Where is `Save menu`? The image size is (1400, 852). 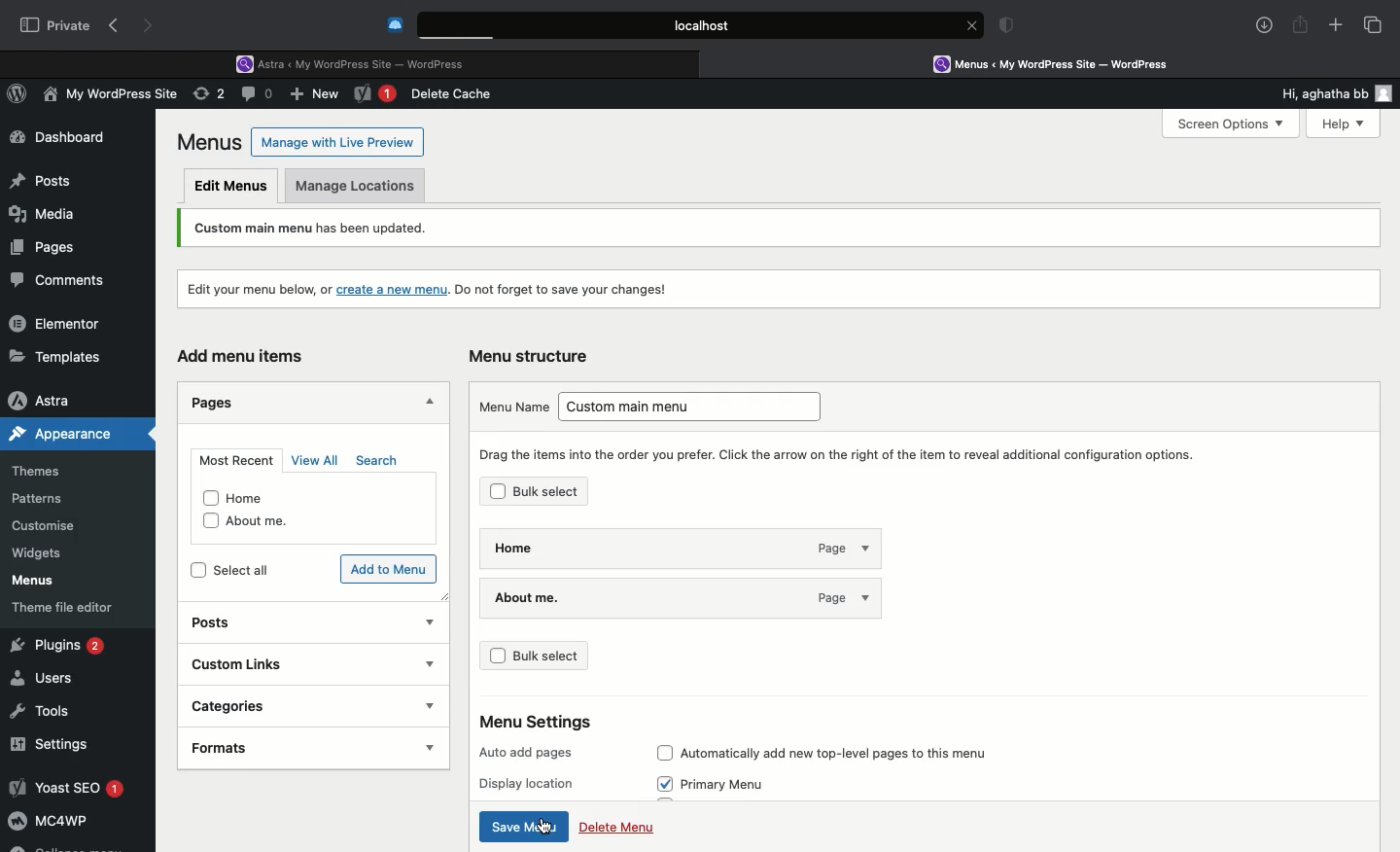 Save menu is located at coordinates (525, 827).